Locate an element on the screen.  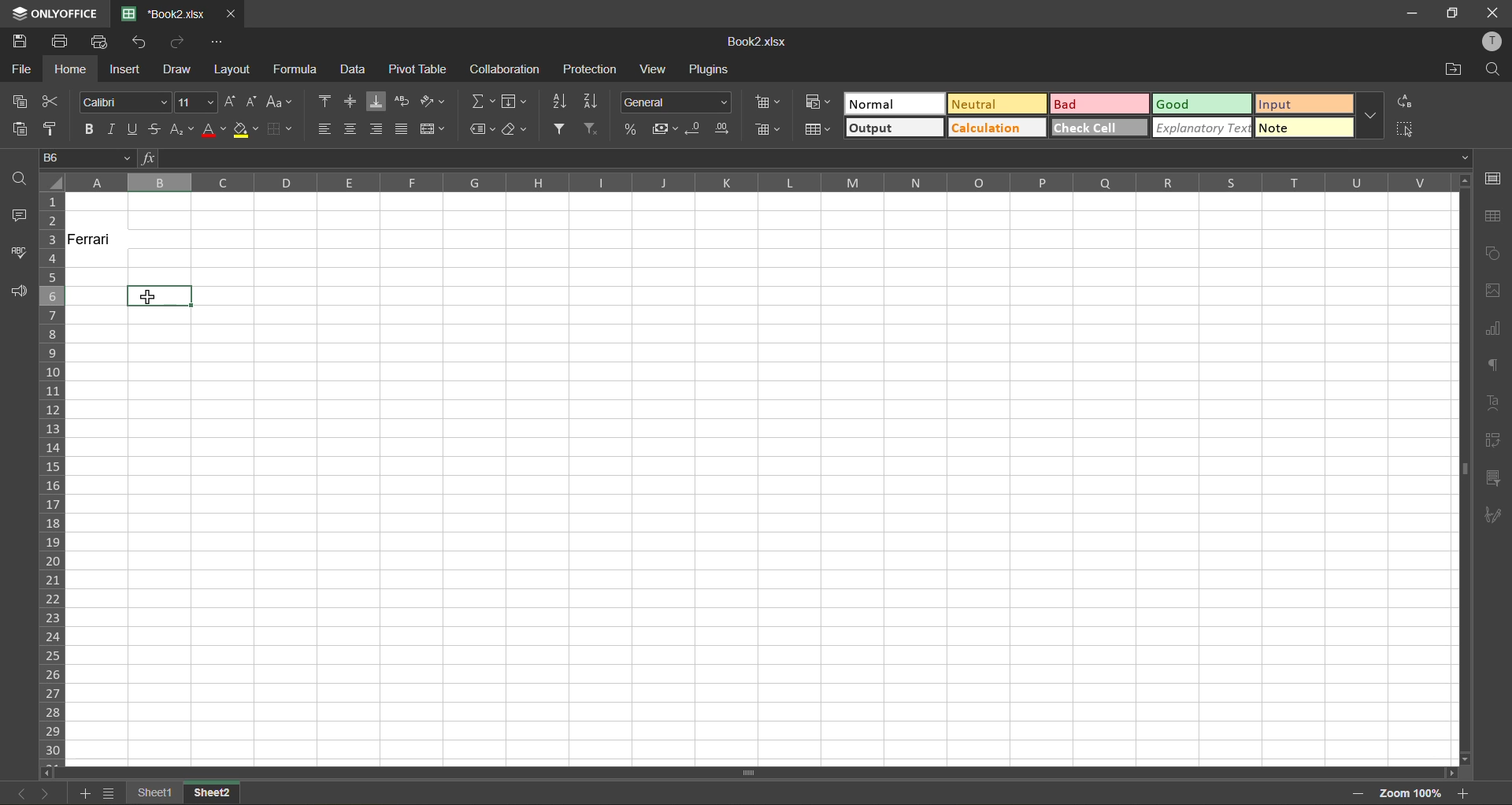
undo is located at coordinates (142, 42).